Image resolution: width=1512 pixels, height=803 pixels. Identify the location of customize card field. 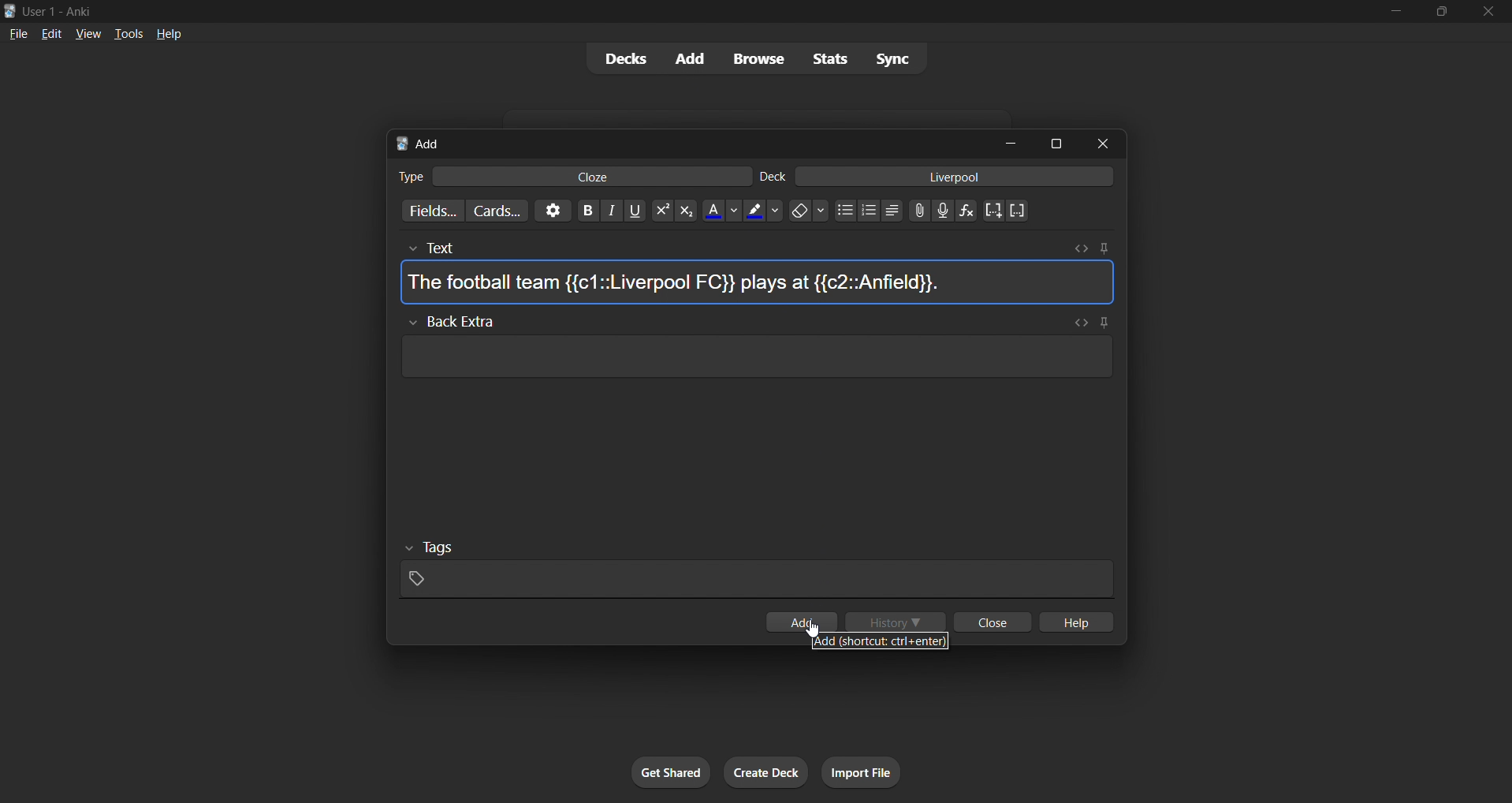
(434, 207).